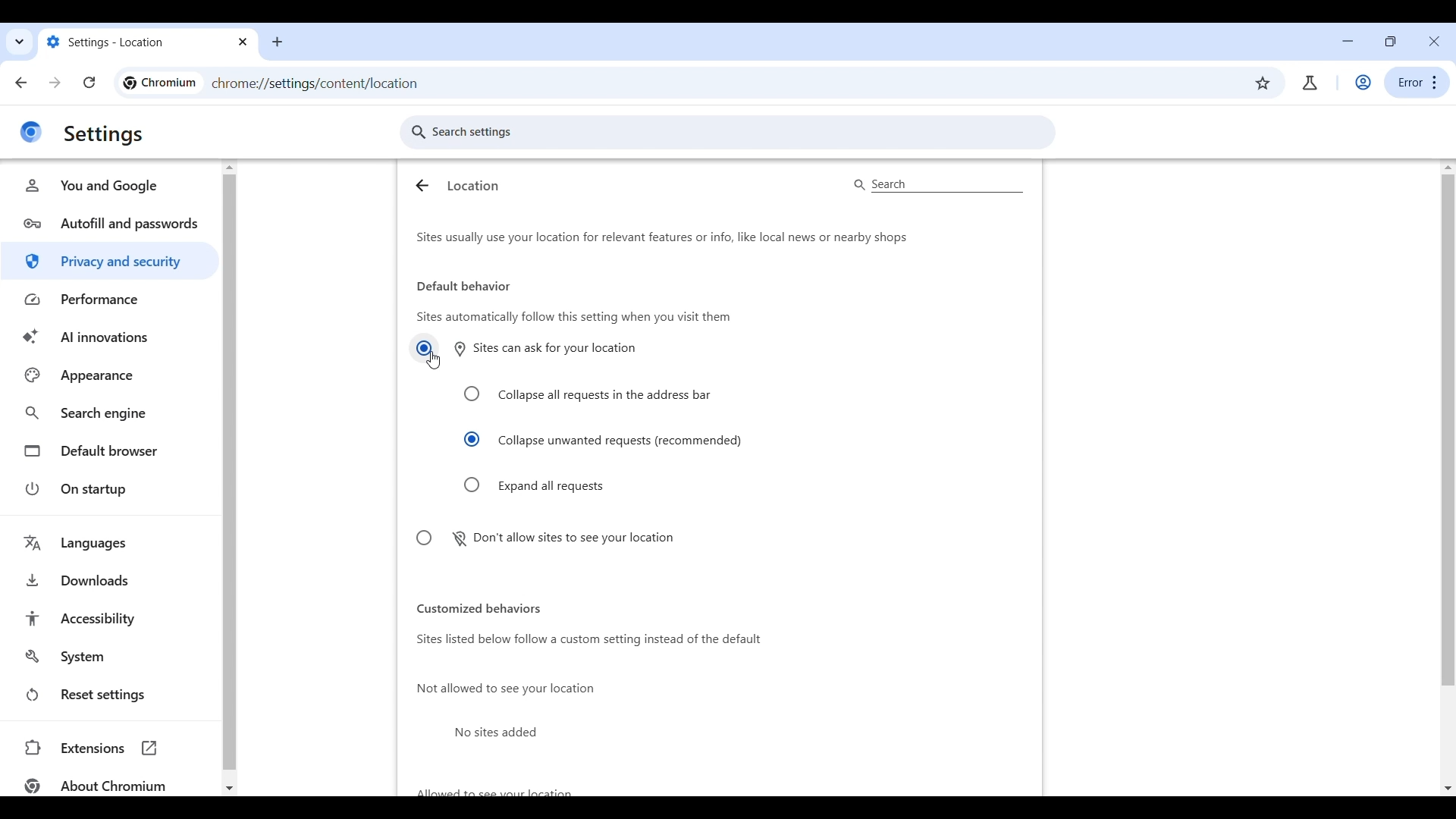 The height and width of the screenshot is (819, 1456). Describe the element at coordinates (587, 394) in the screenshot. I see `Collapse all requests in the address bar` at that location.